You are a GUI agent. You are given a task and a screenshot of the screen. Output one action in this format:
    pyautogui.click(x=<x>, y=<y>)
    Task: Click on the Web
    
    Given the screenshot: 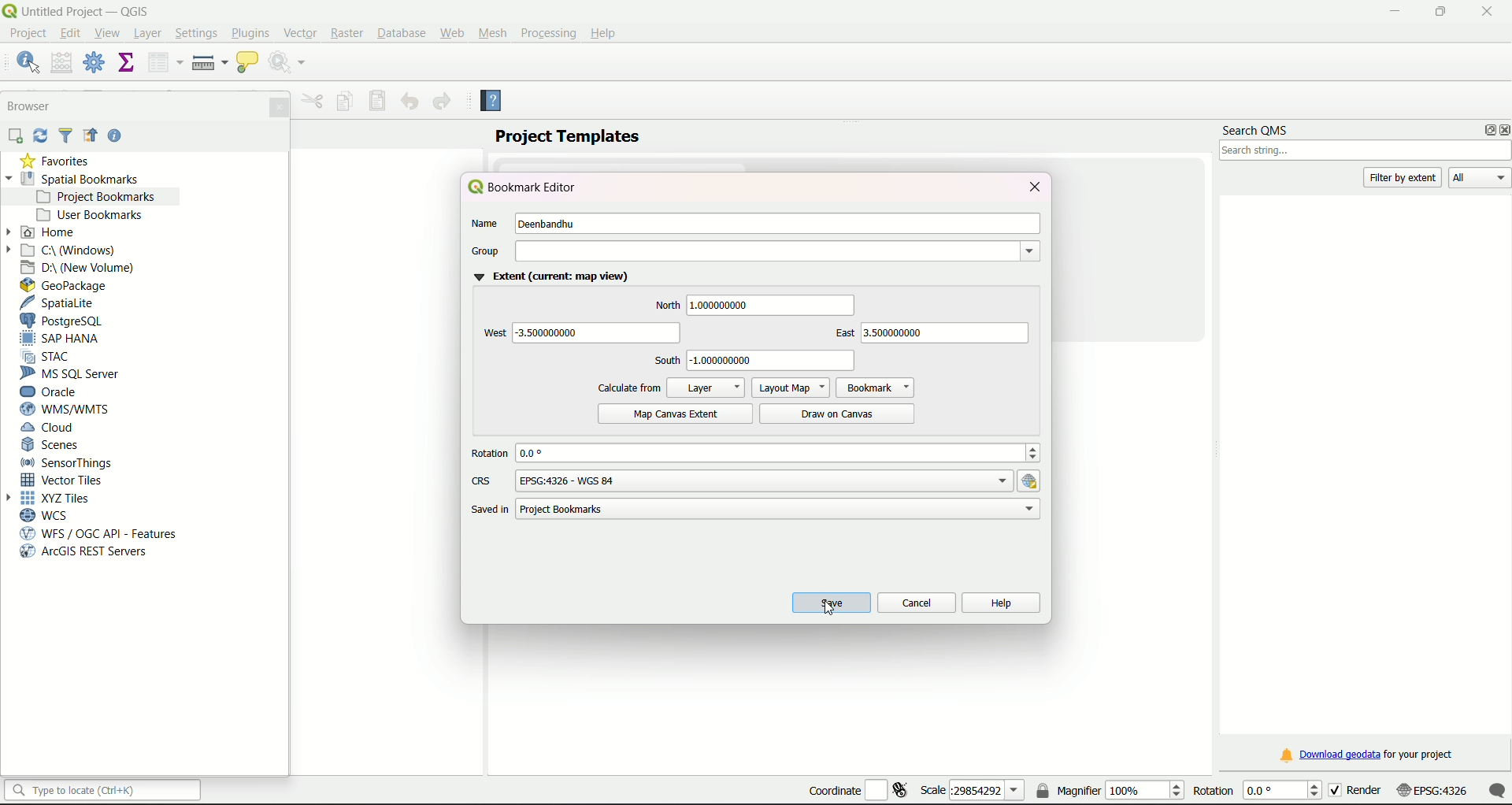 What is the action you would take?
    pyautogui.click(x=452, y=33)
    